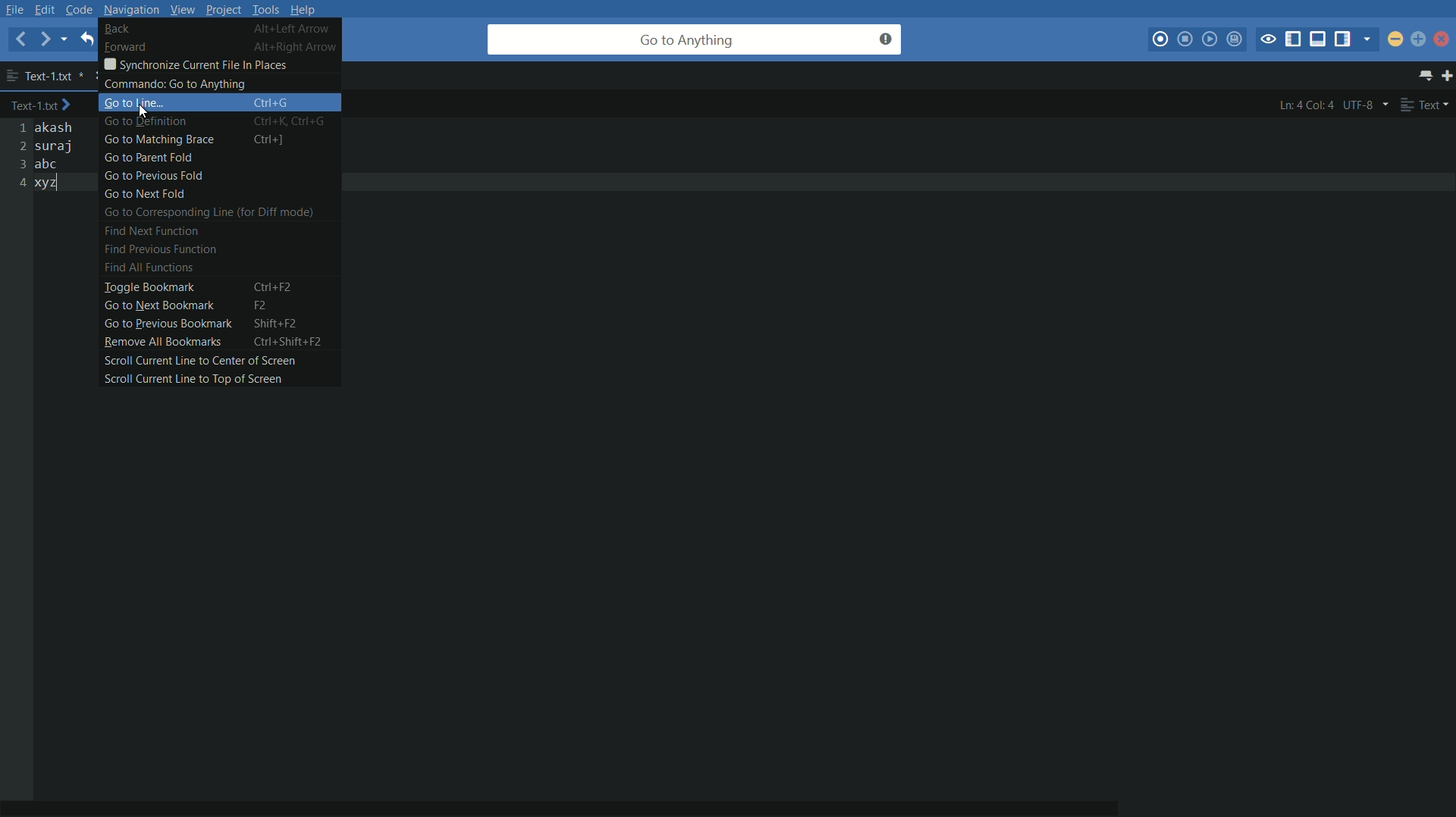  Describe the element at coordinates (86, 39) in the screenshot. I see `undo` at that location.